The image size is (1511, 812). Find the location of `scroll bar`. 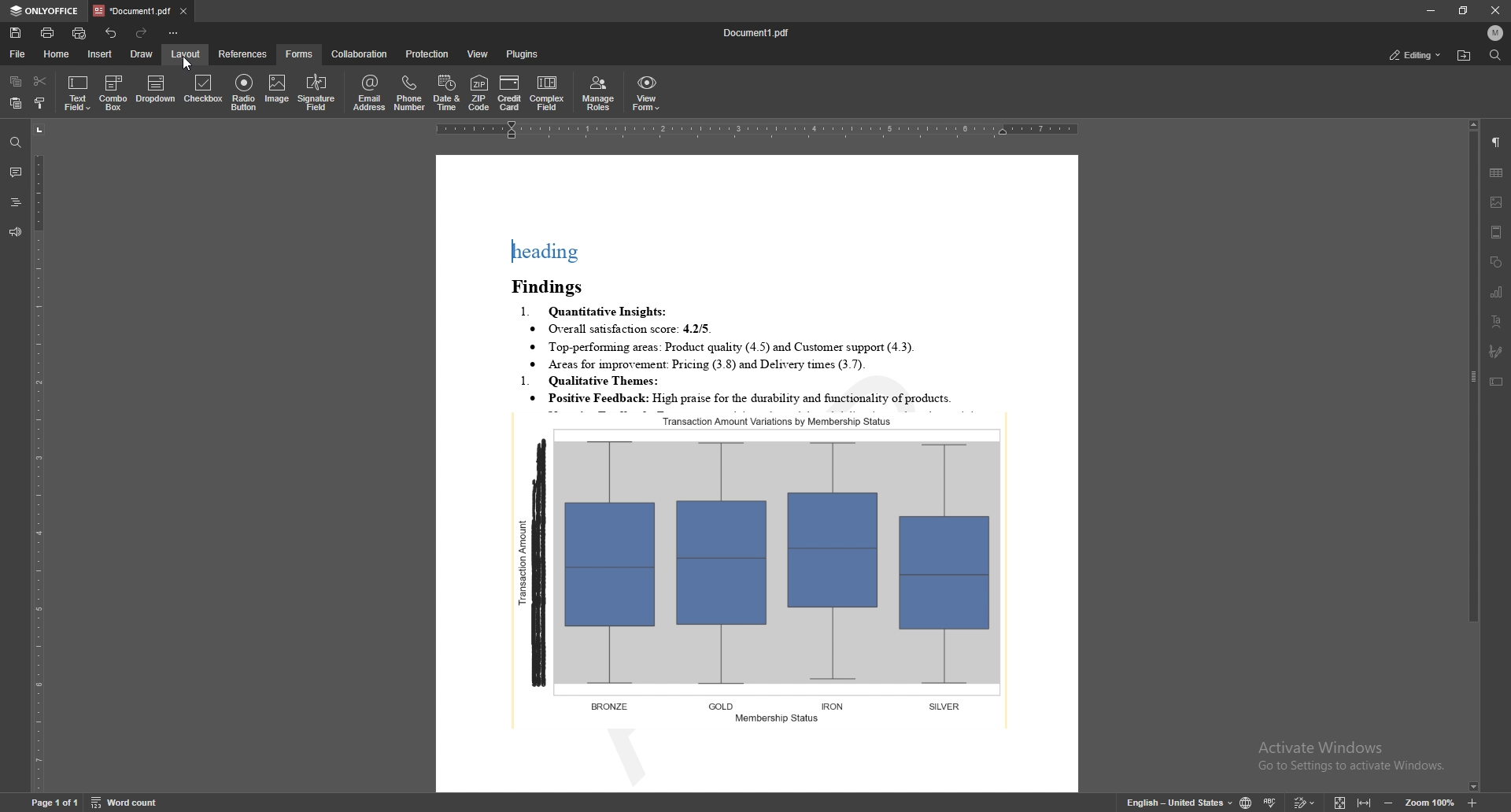

scroll bar is located at coordinates (1473, 456).